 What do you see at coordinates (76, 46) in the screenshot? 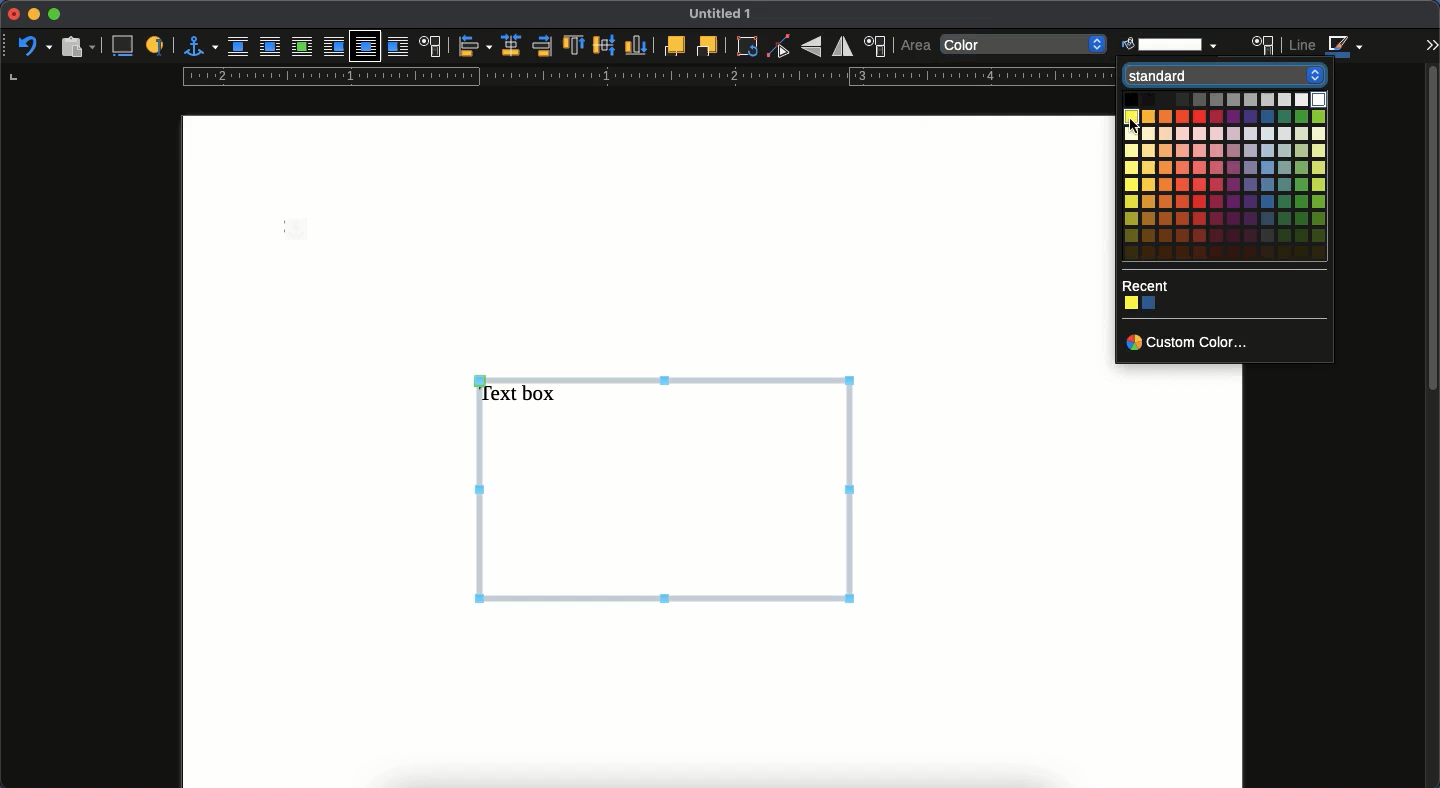
I see `paste` at bounding box center [76, 46].